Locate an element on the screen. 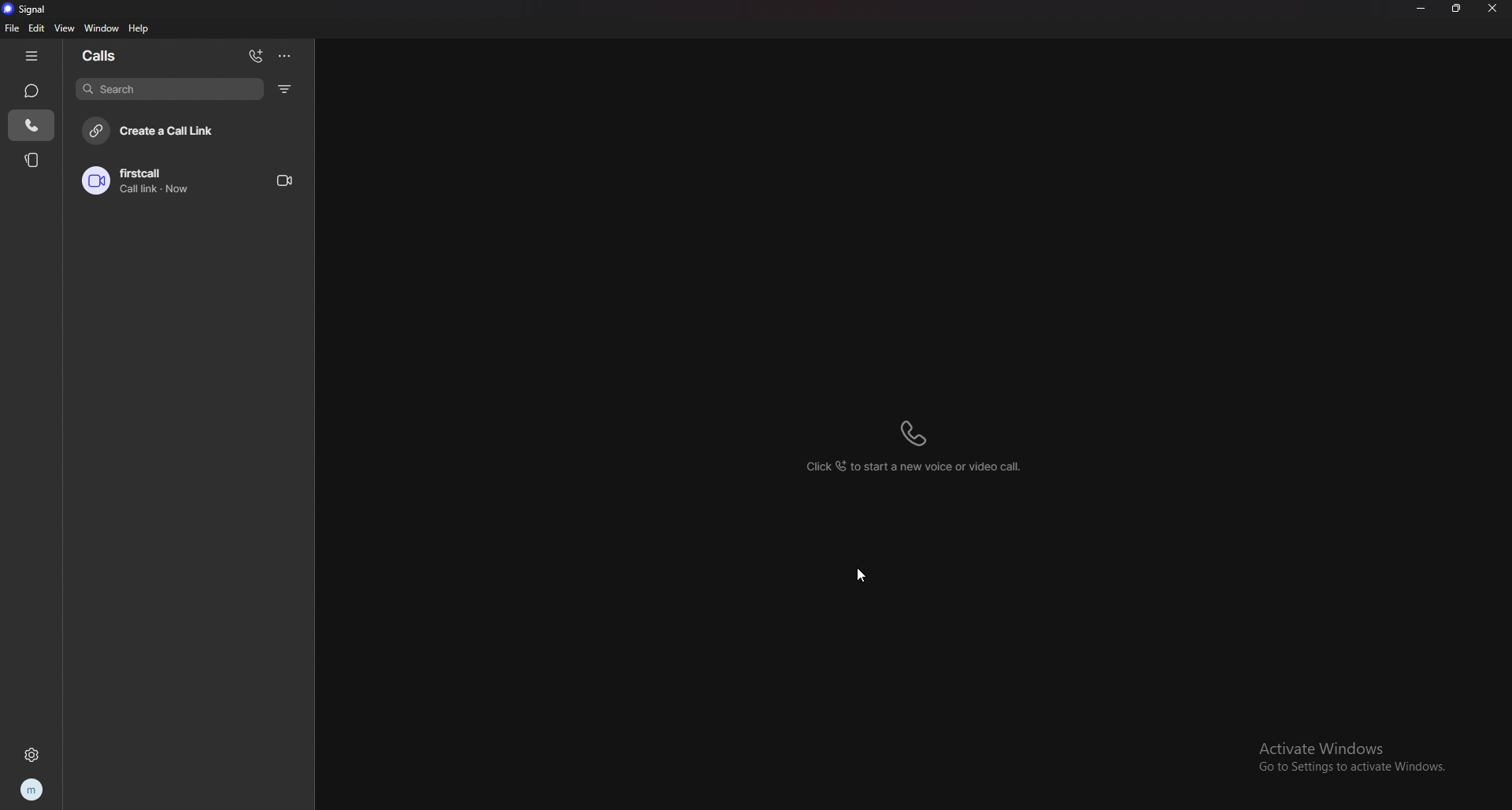  click to start a new voice or video call is located at coordinates (915, 445).